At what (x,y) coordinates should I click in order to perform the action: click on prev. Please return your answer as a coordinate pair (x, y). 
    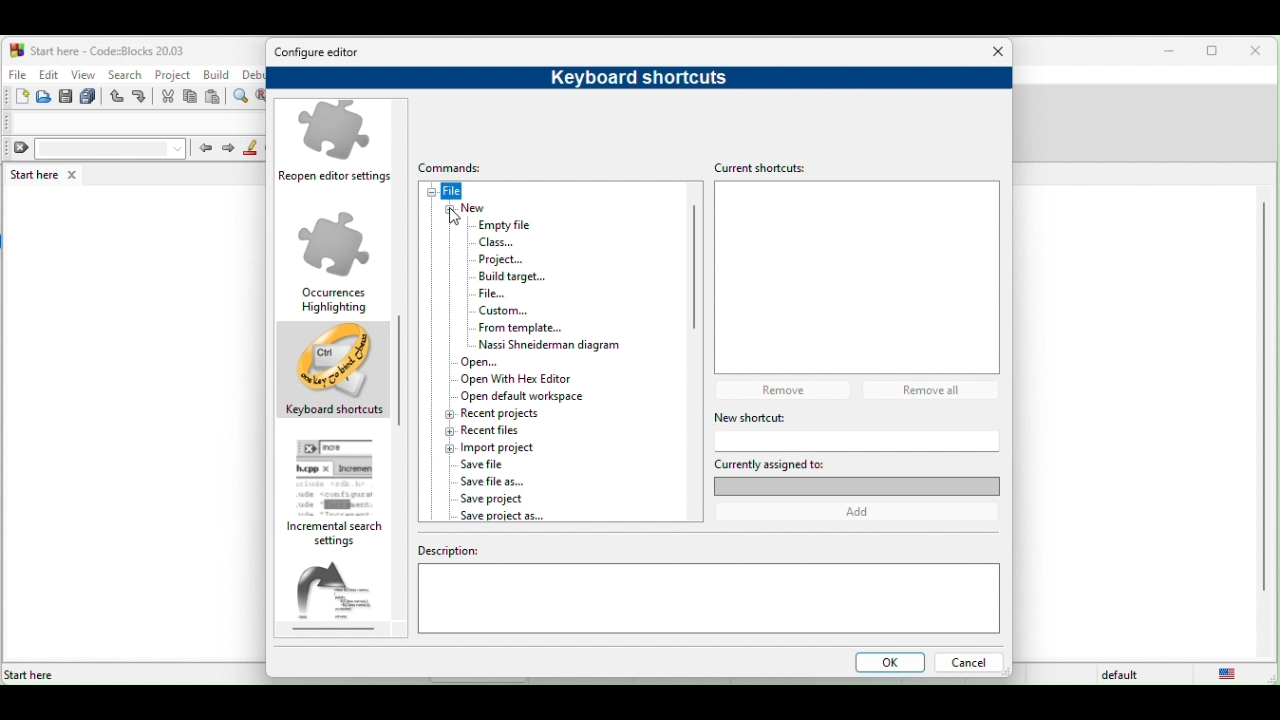
    Looking at the image, I should click on (204, 147).